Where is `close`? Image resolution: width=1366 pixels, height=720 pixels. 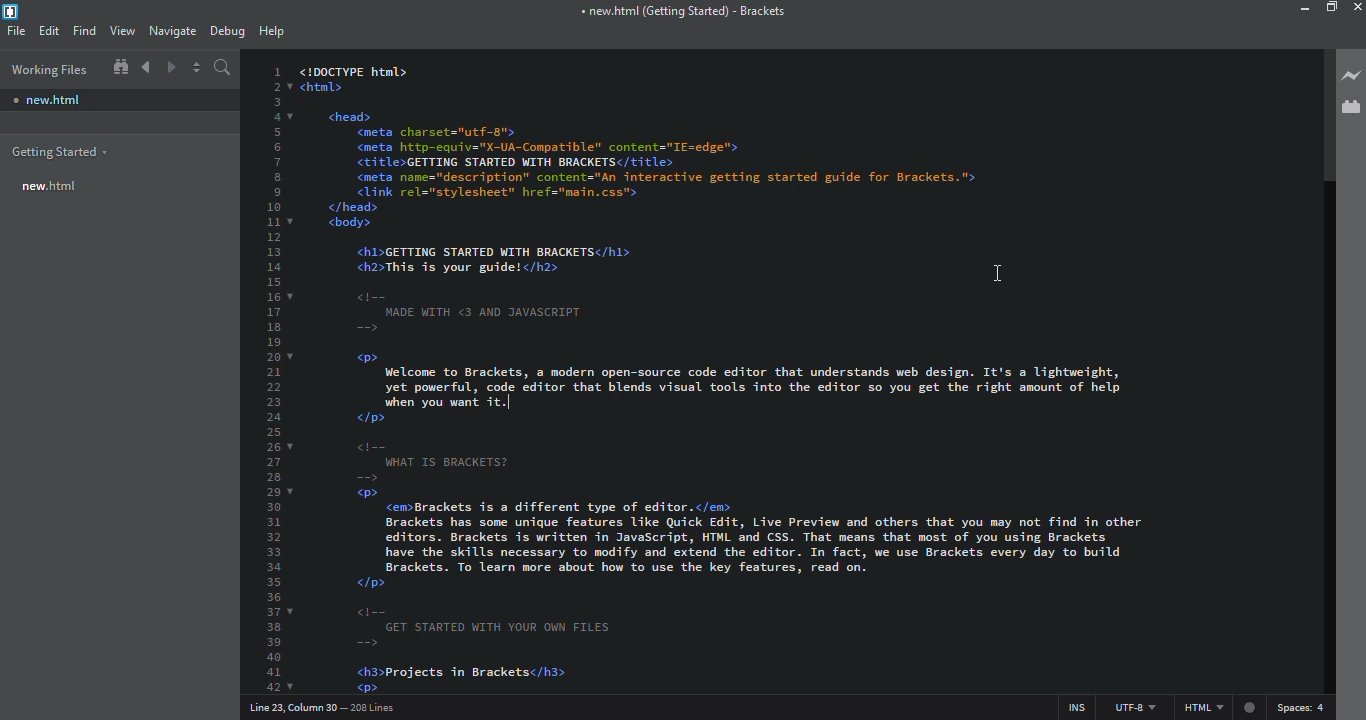 close is located at coordinates (1357, 7).